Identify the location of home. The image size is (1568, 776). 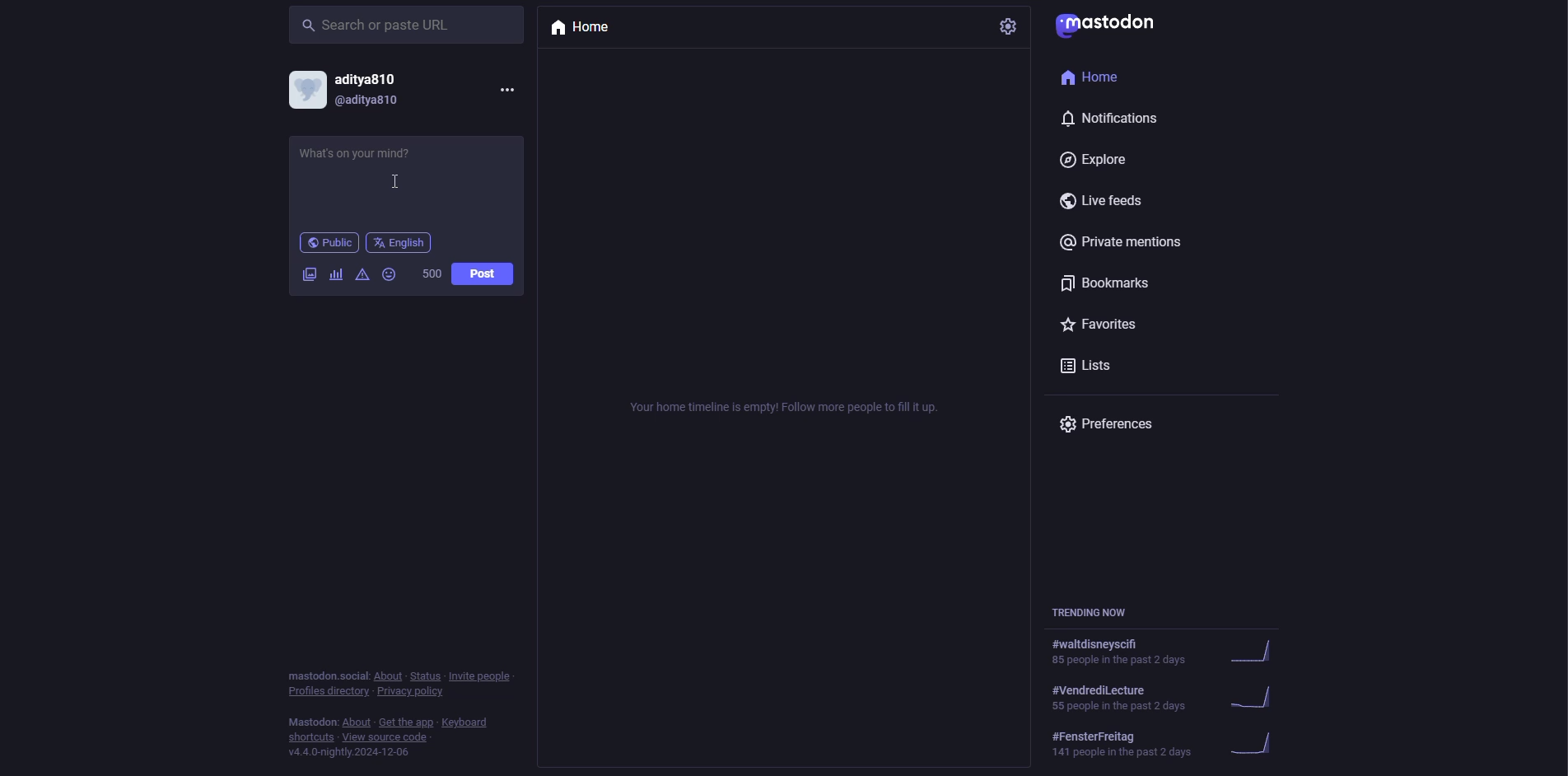
(583, 27).